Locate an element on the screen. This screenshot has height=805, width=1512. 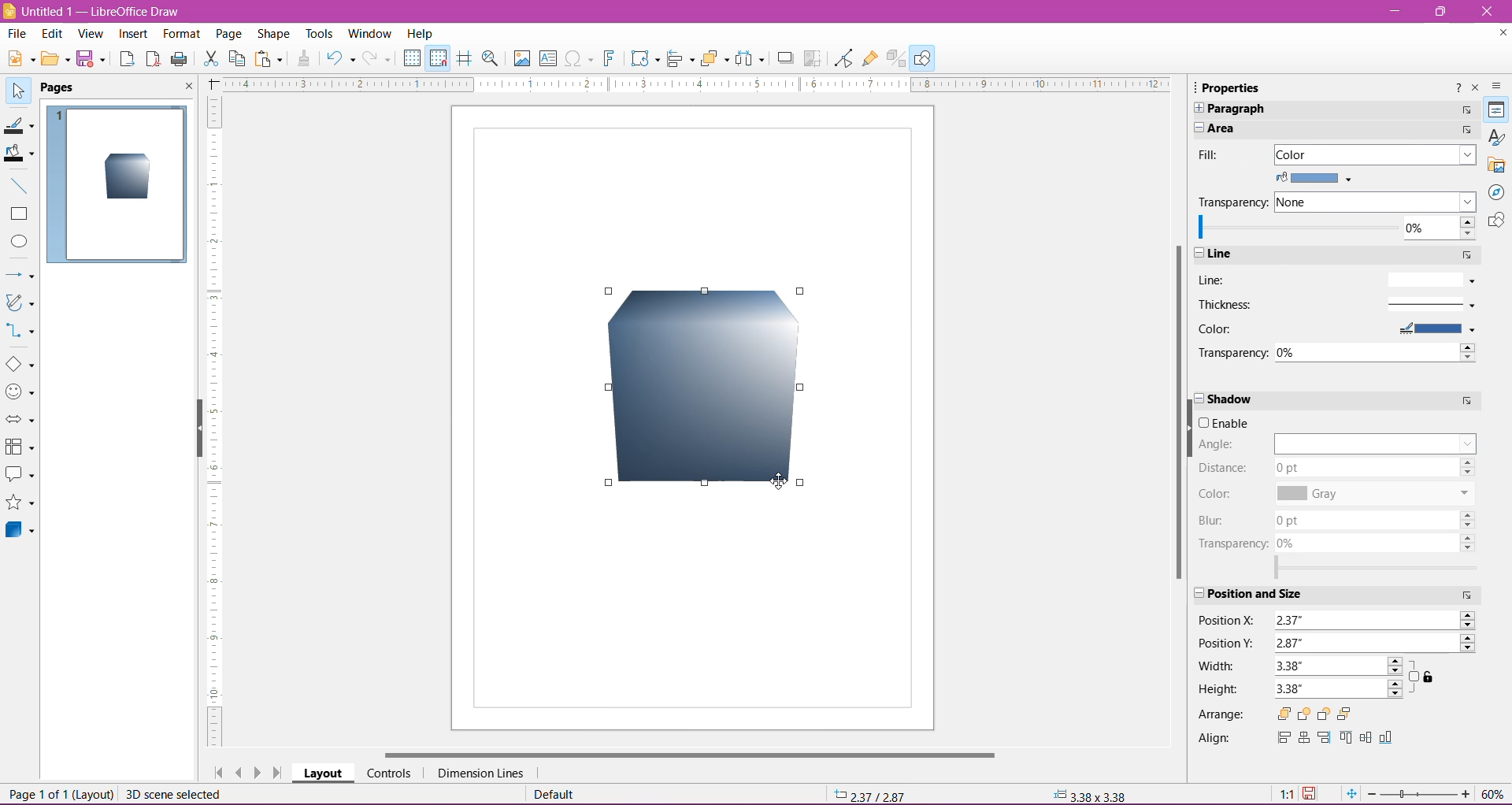
Window is located at coordinates (369, 34).